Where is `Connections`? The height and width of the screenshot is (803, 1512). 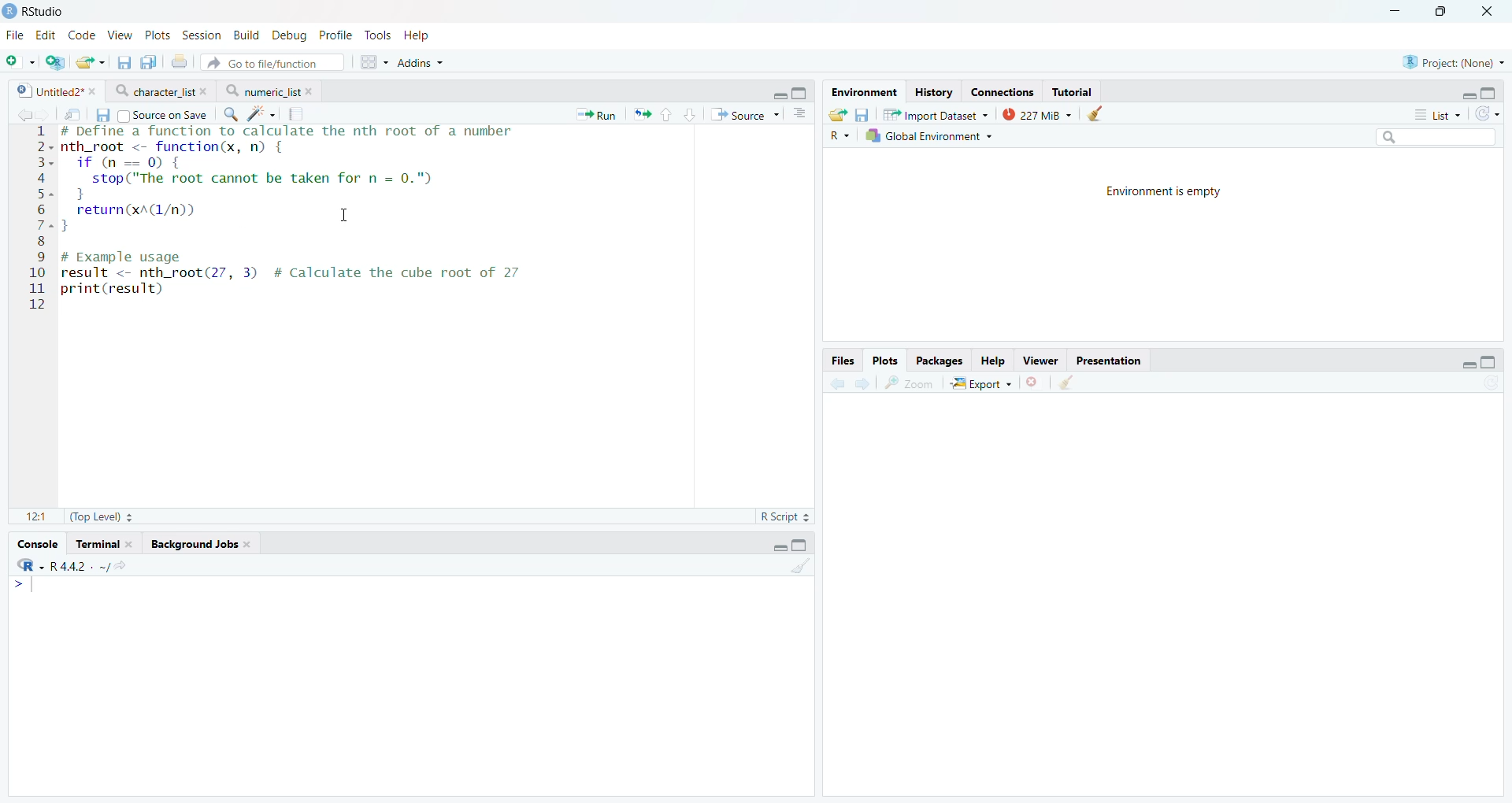
Connections is located at coordinates (1004, 91).